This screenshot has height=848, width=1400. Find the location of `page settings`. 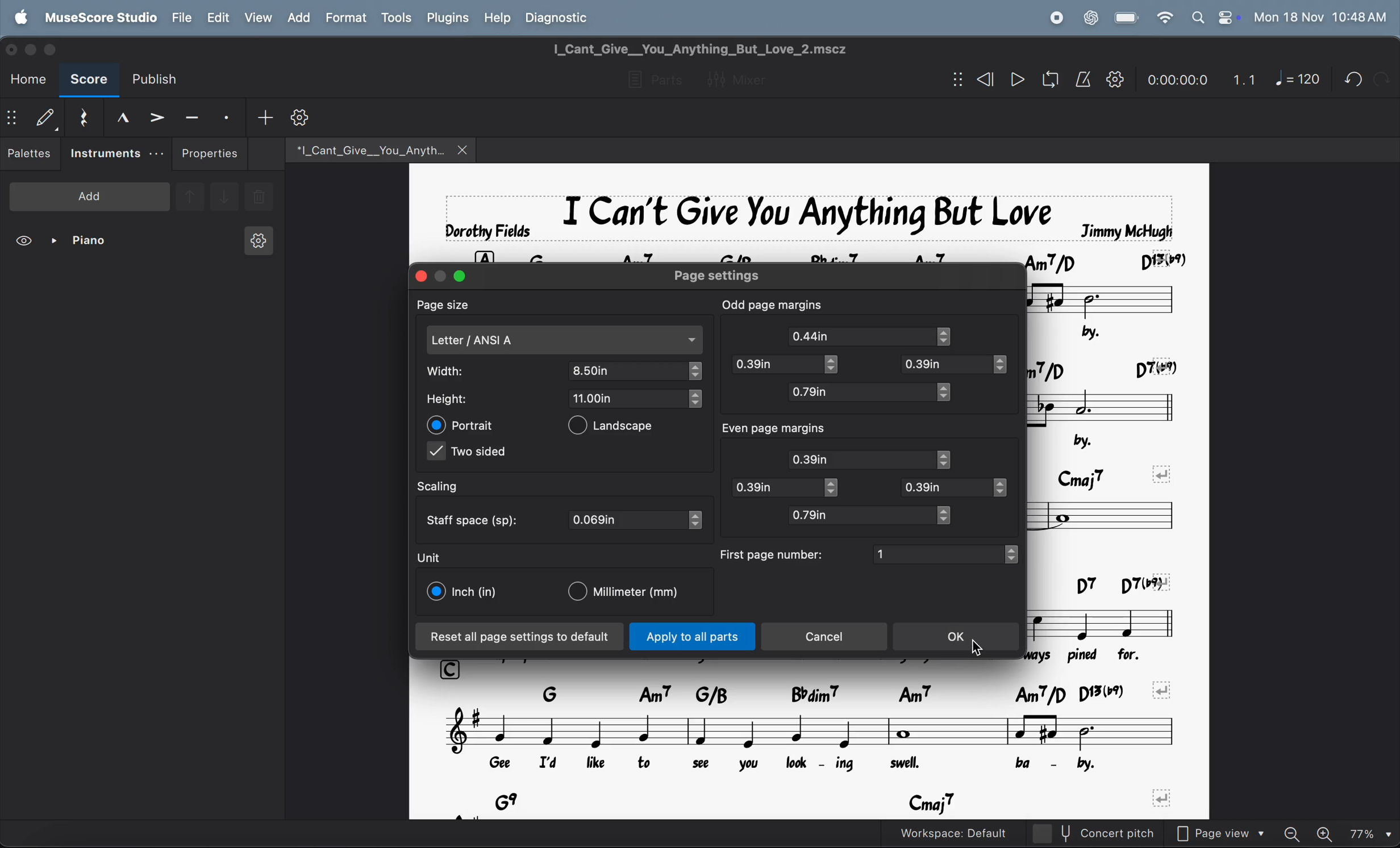

page settings is located at coordinates (732, 275).